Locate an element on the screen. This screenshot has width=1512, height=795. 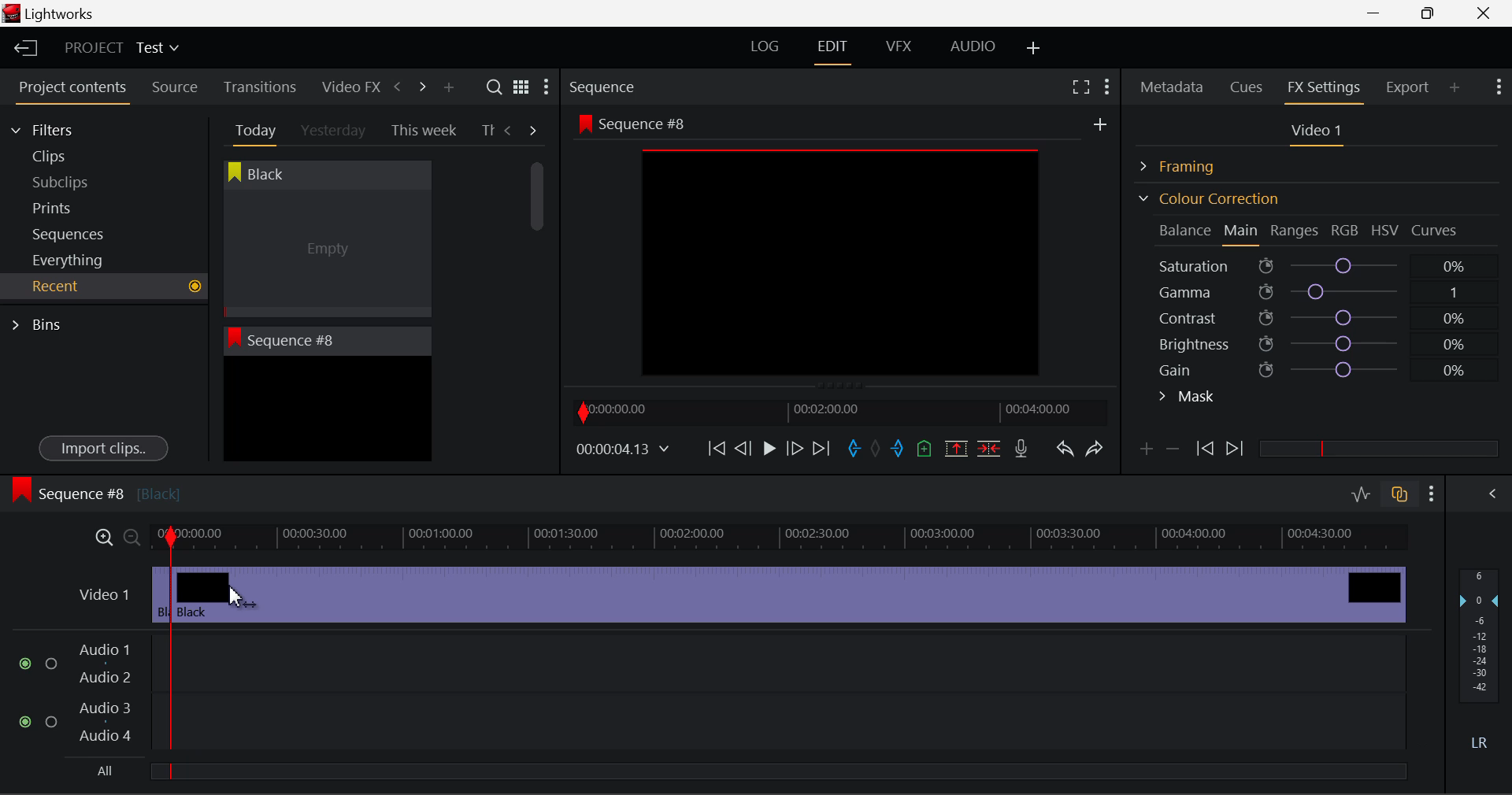
AUDIO Layout is located at coordinates (972, 46).